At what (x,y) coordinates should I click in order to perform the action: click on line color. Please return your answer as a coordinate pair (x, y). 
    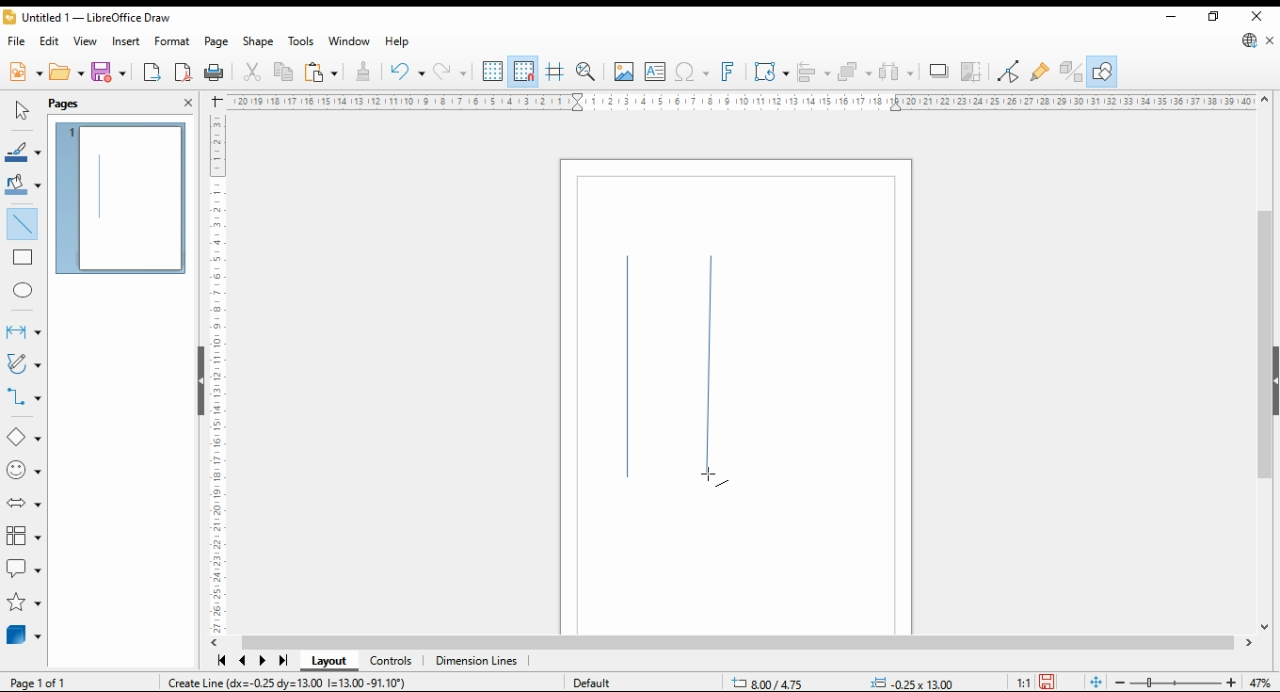
    Looking at the image, I should click on (24, 152).